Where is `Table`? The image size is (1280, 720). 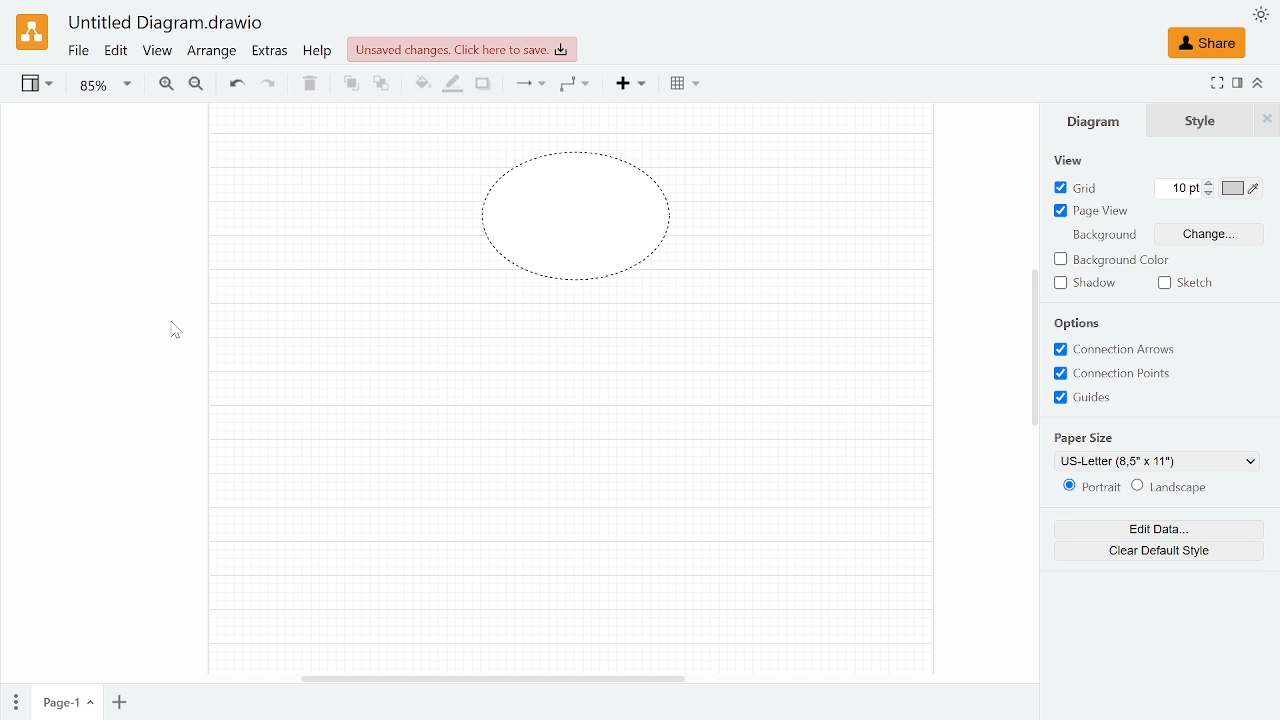
Table is located at coordinates (685, 86).